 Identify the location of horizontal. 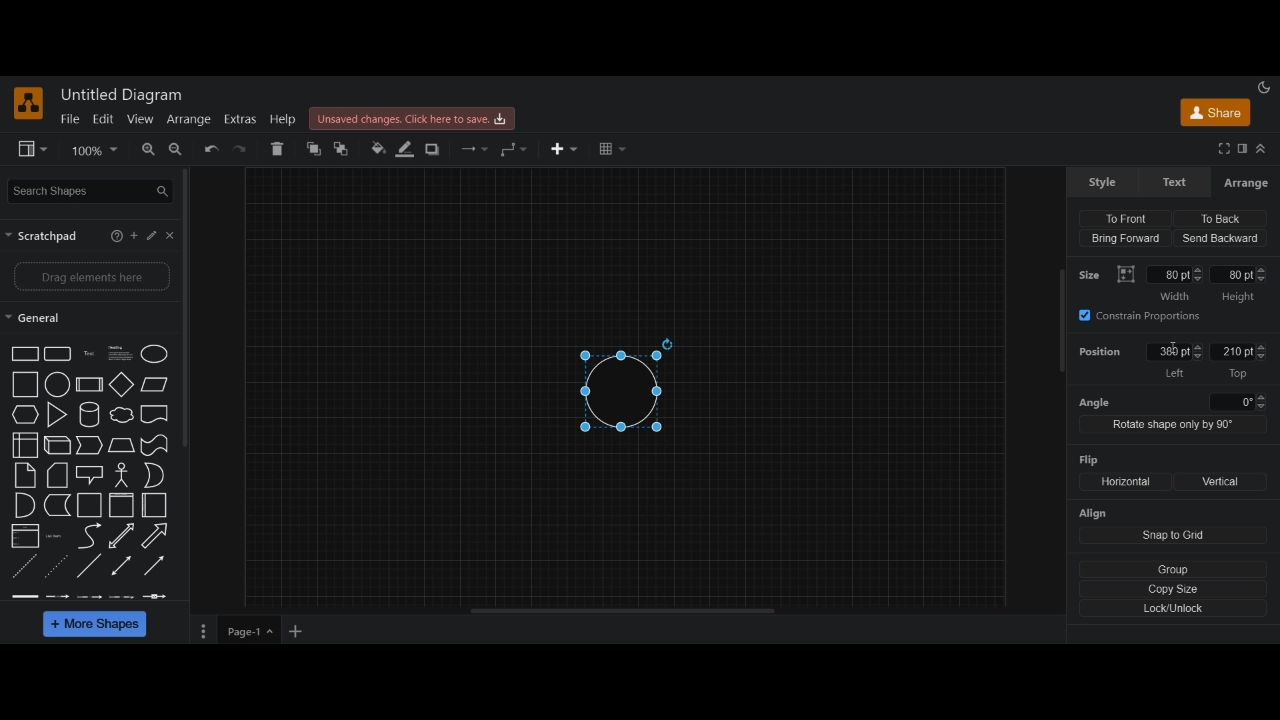
(1123, 482).